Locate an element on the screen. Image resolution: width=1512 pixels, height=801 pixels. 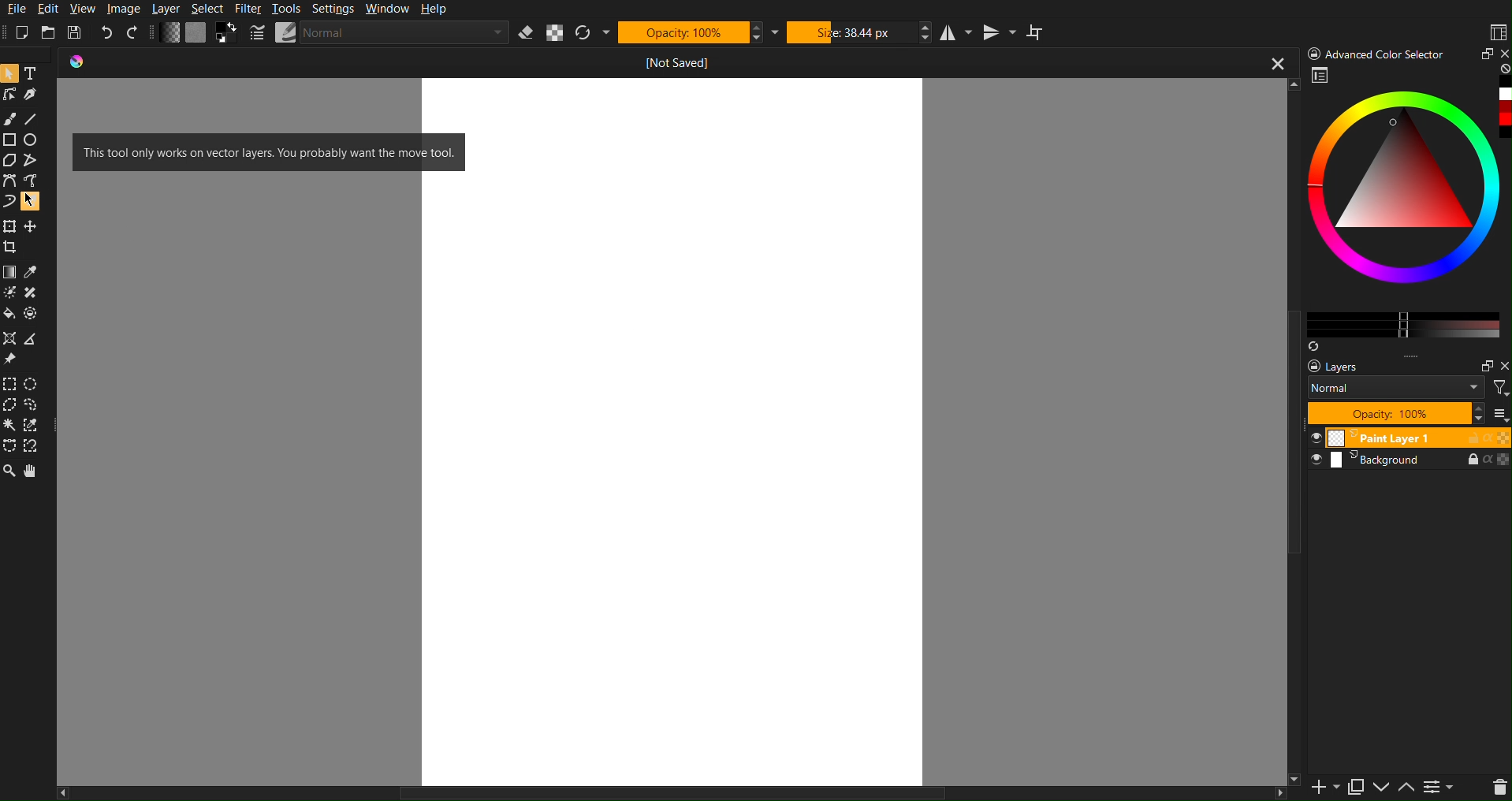
sync is located at coordinates (1313, 343).